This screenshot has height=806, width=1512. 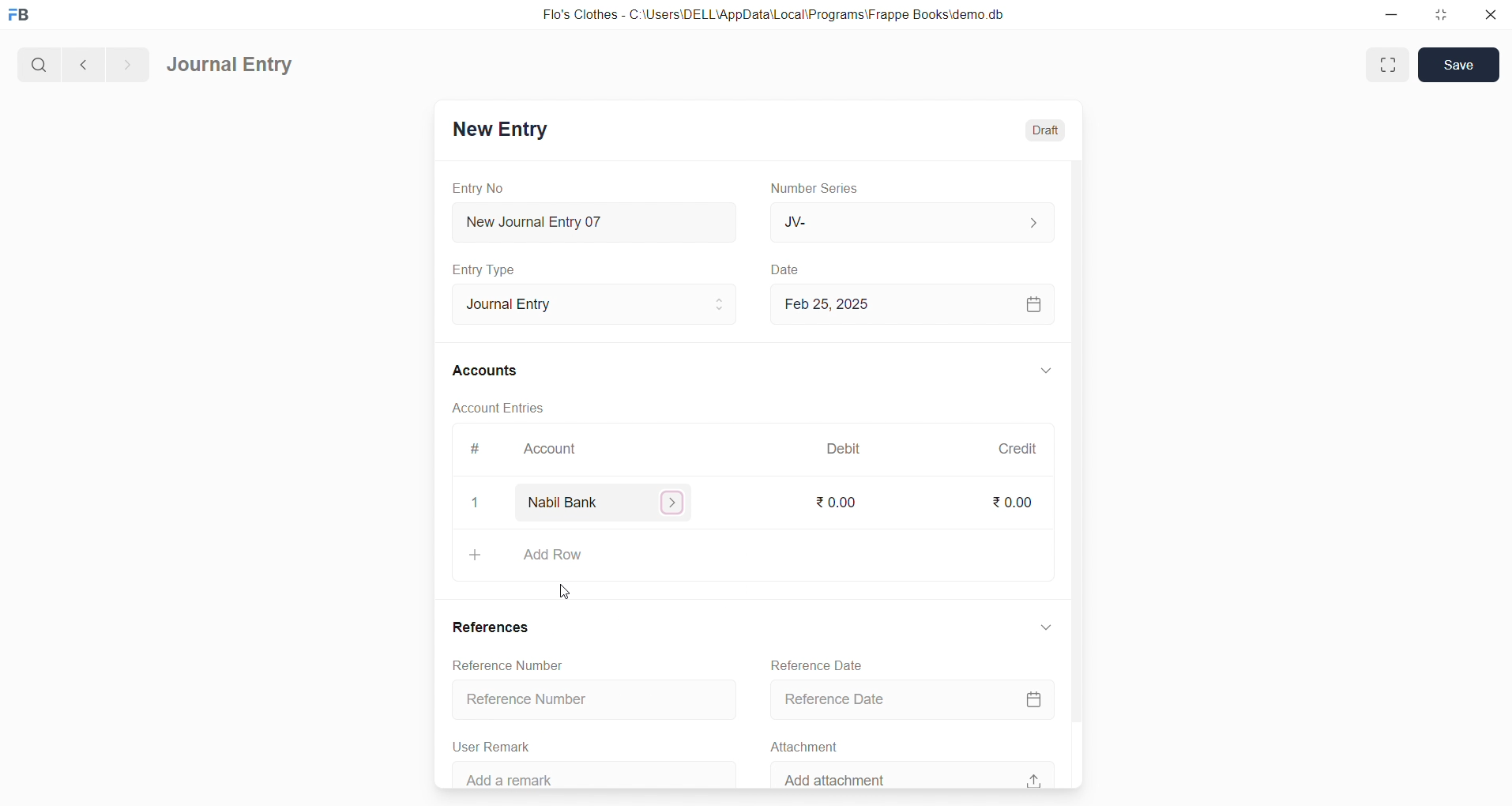 I want to click on minimize, so click(x=1390, y=16).